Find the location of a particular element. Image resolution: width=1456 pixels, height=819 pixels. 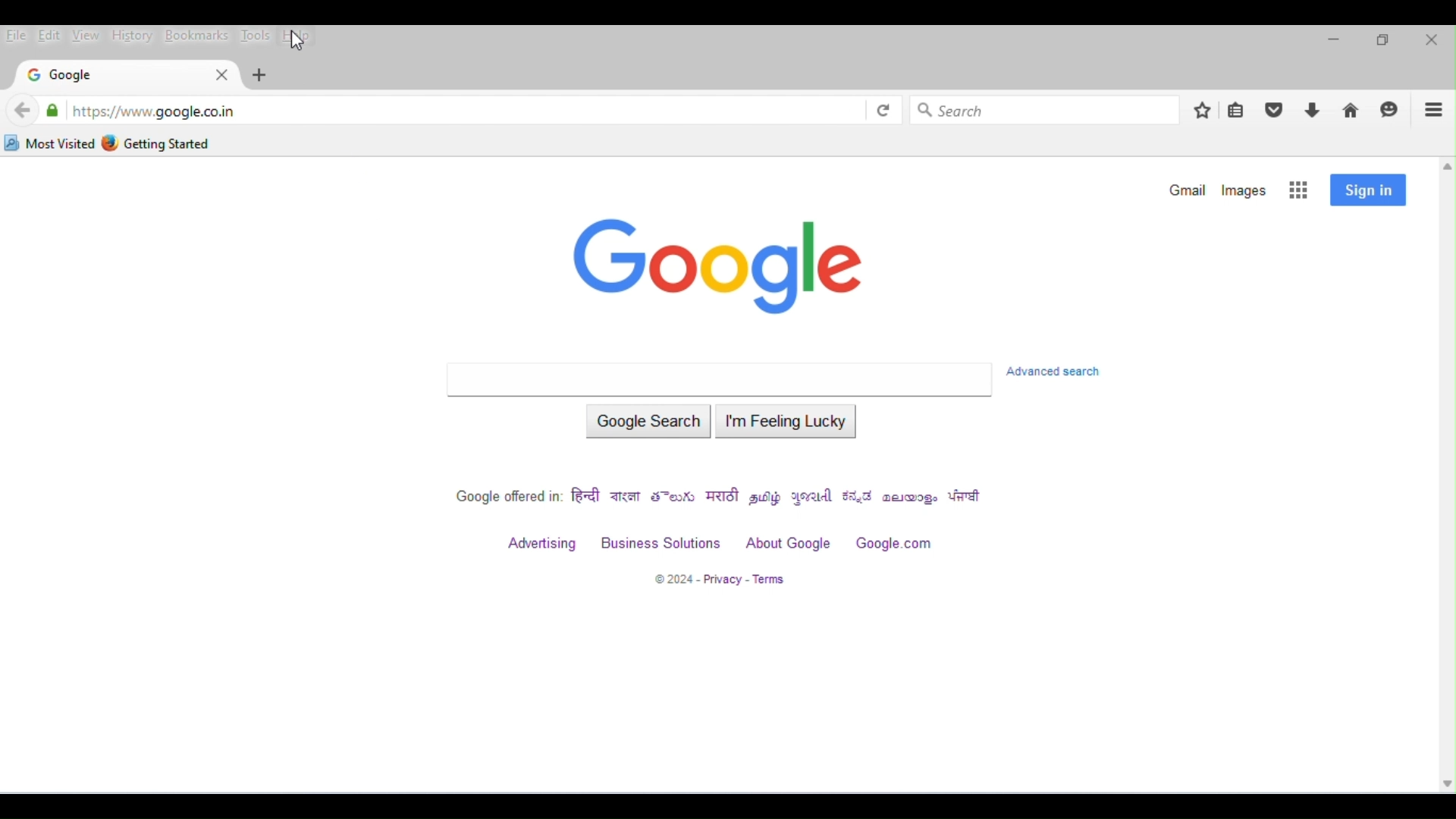

google logo is located at coordinates (725, 268).